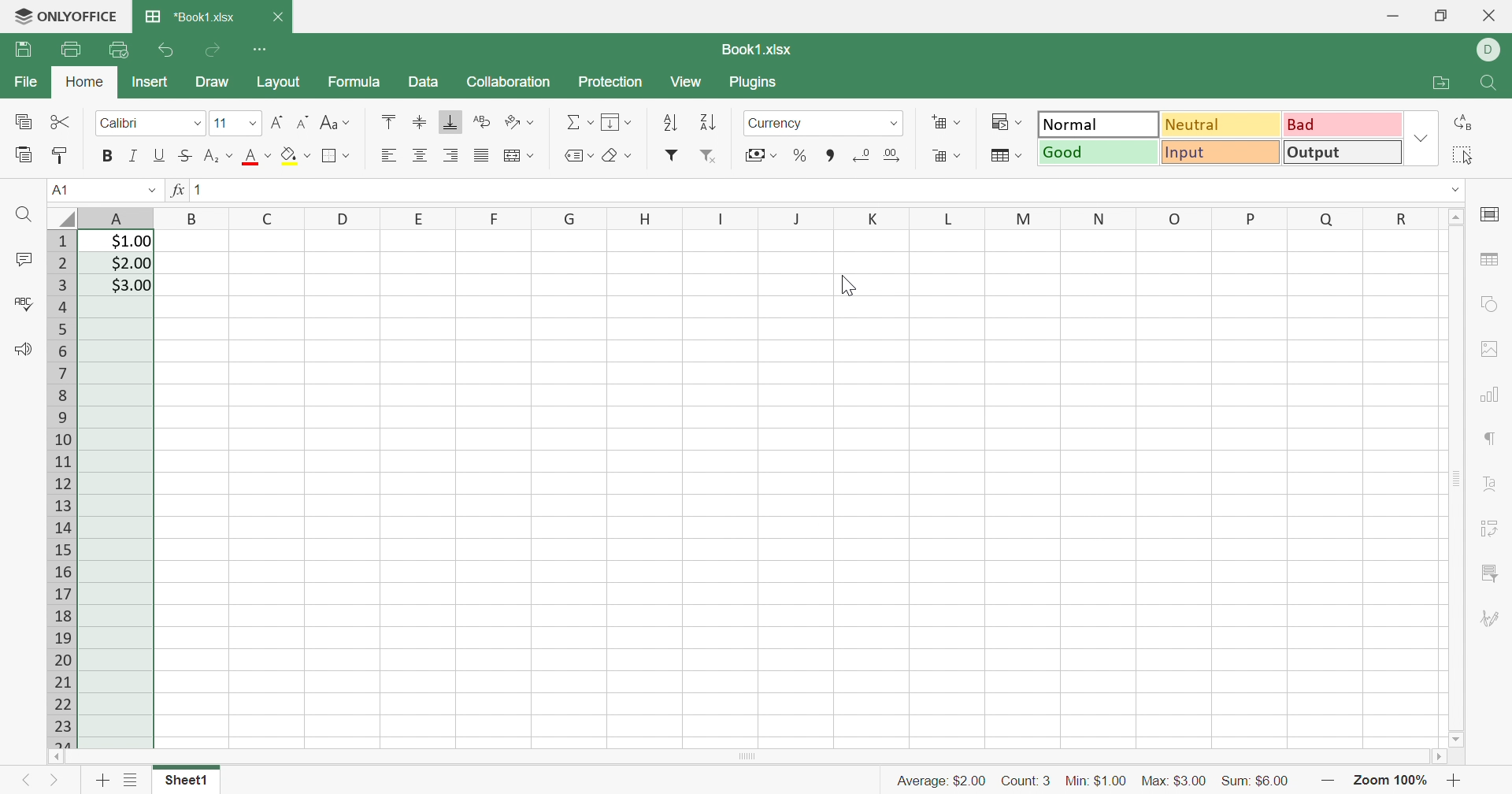  What do you see at coordinates (1441, 17) in the screenshot?
I see `Restore down` at bounding box center [1441, 17].